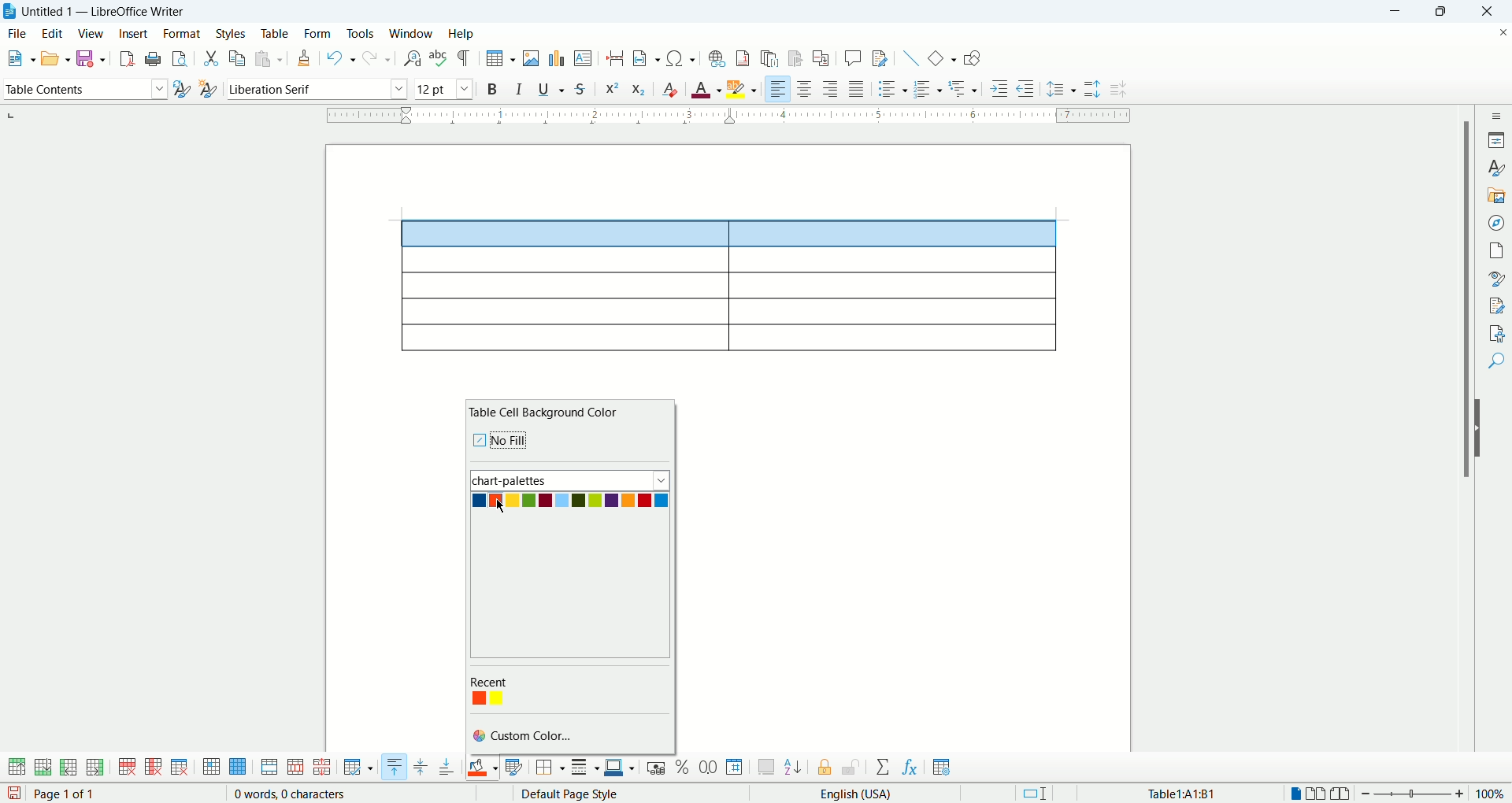  What do you see at coordinates (729, 117) in the screenshot?
I see `border` at bounding box center [729, 117].